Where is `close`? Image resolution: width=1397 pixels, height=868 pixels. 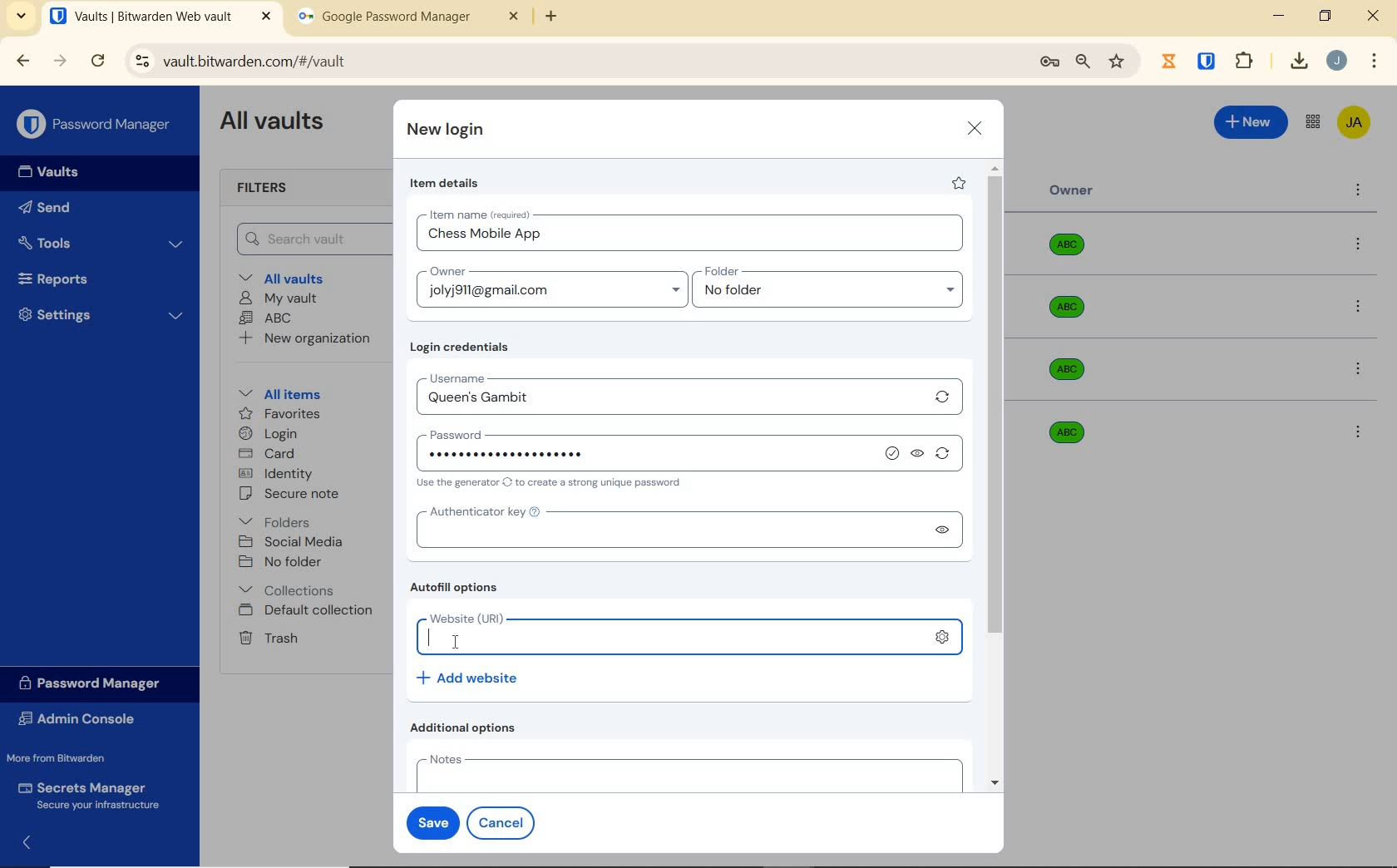 close is located at coordinates (1375, 16).